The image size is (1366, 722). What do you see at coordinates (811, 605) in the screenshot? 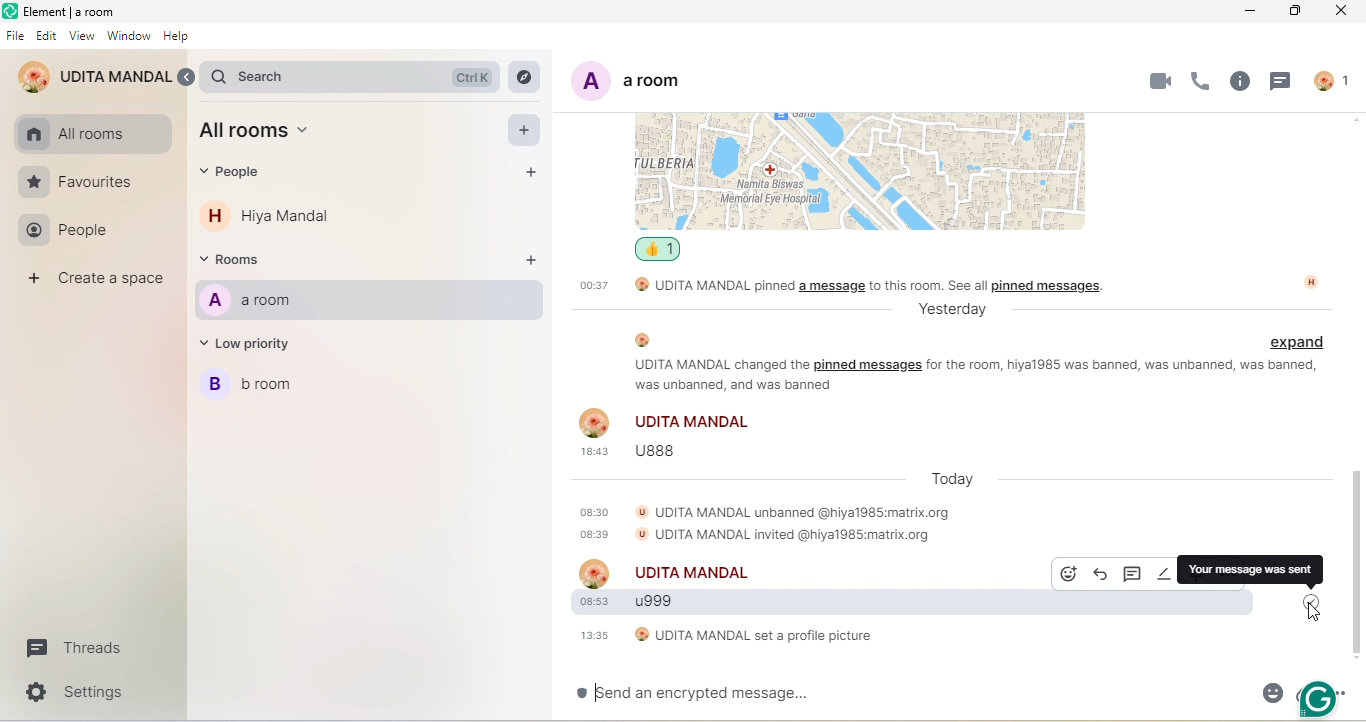
I see `08:53 u999` at bounding box center [811, 605].